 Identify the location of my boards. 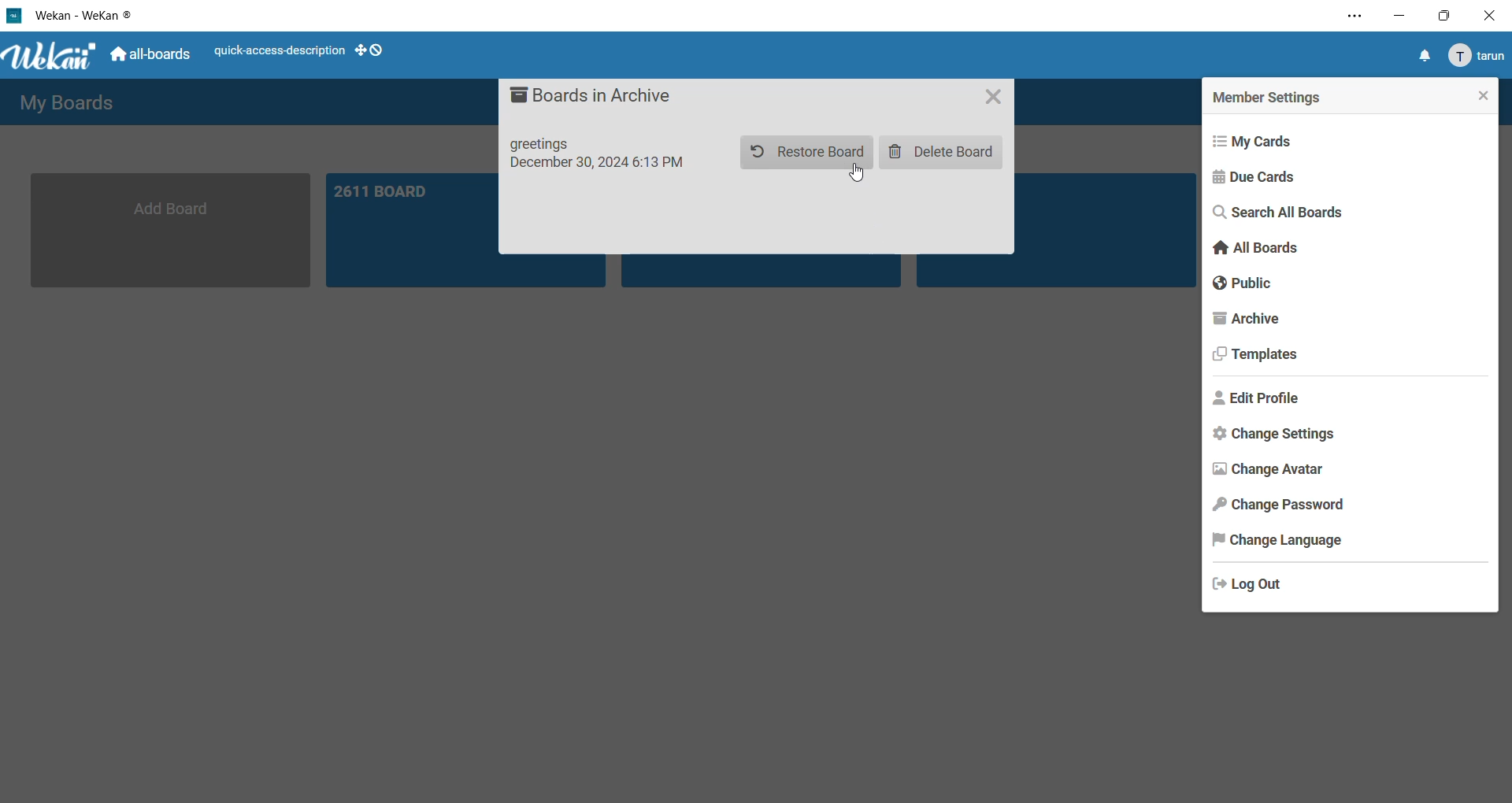
(73, 101).